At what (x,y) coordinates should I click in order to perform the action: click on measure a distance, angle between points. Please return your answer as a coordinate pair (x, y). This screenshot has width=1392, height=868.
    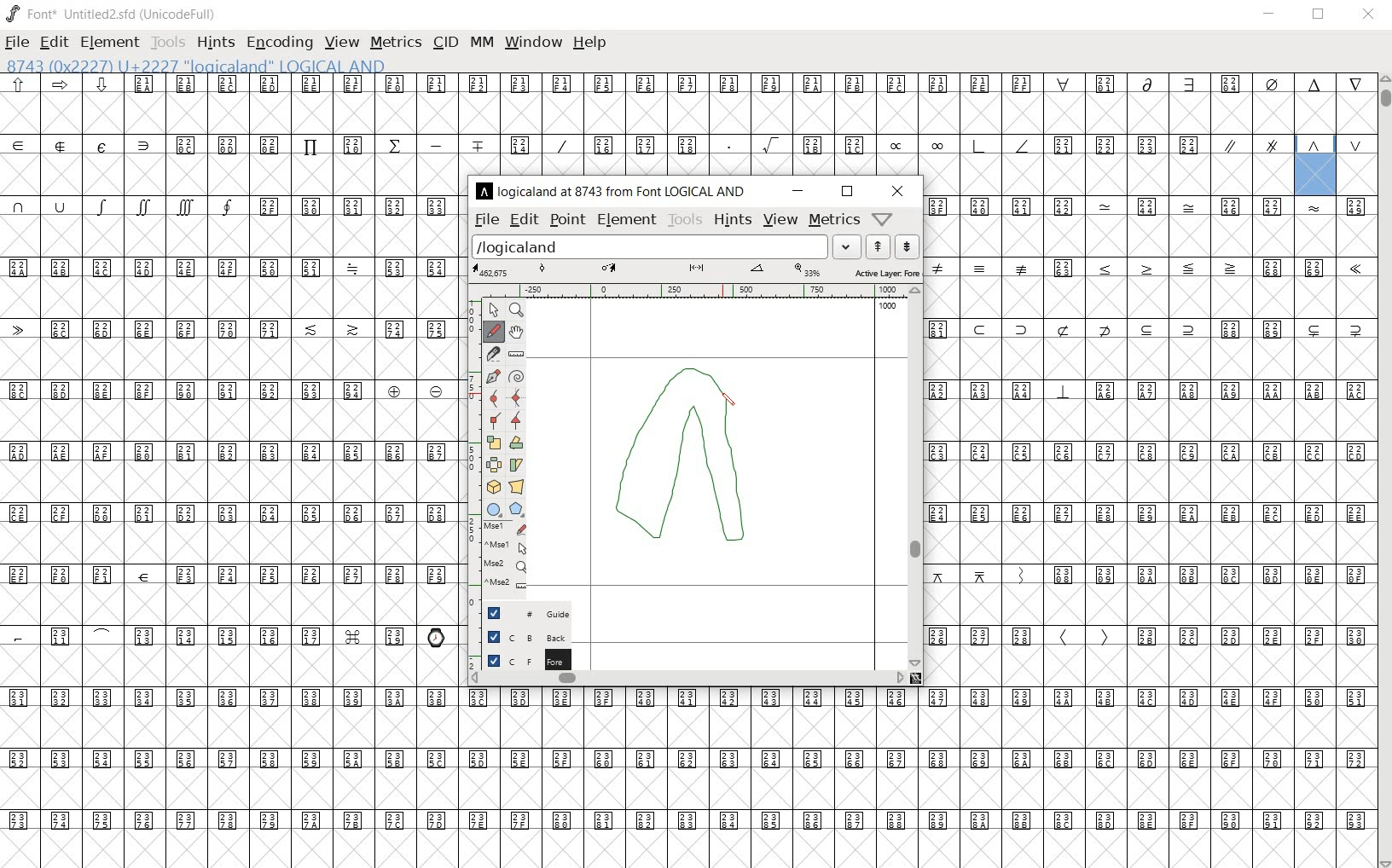
    Looking at the image, I should click on (516, 354).